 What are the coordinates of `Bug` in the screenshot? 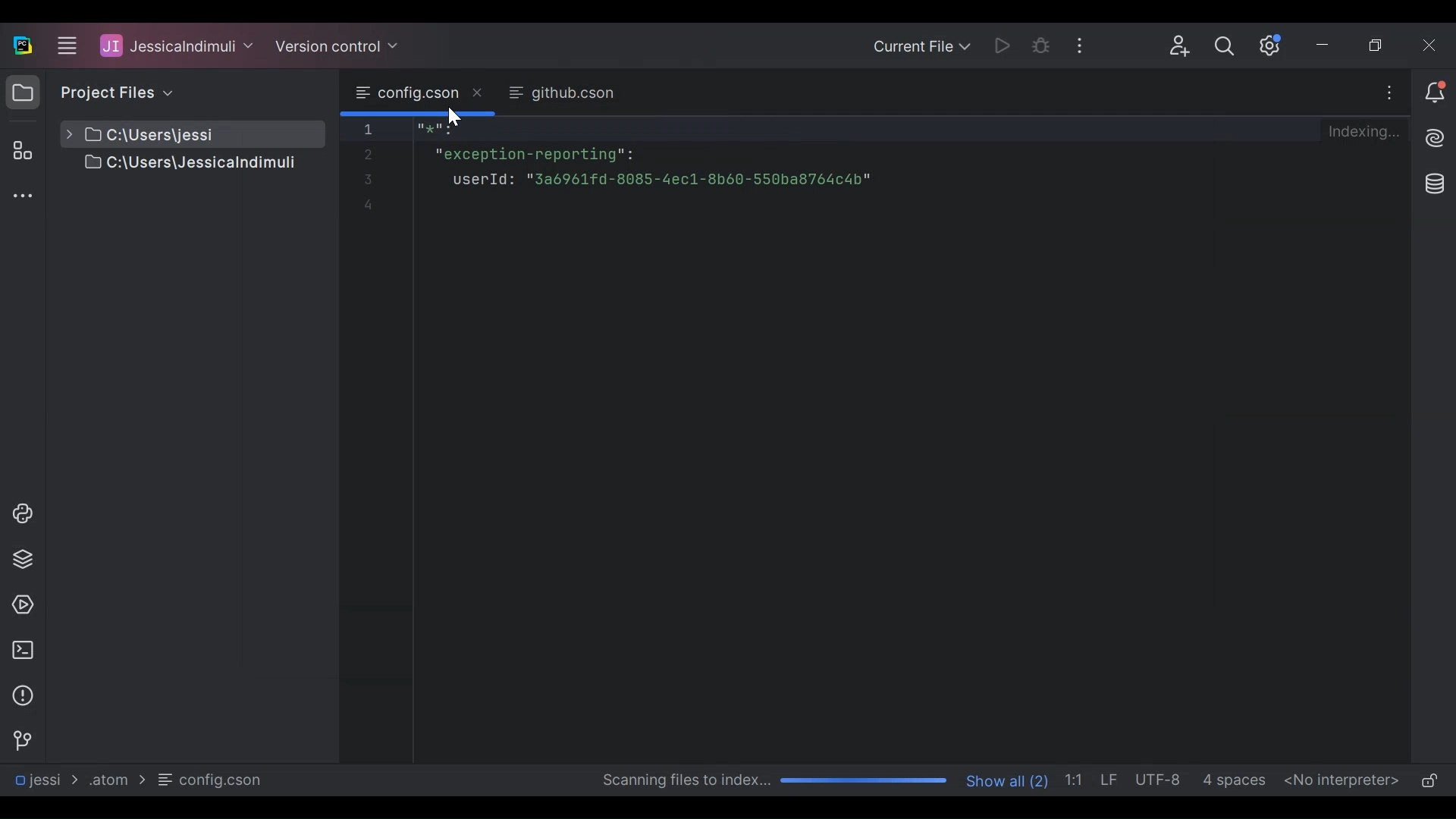 It's located at (1041, 45).